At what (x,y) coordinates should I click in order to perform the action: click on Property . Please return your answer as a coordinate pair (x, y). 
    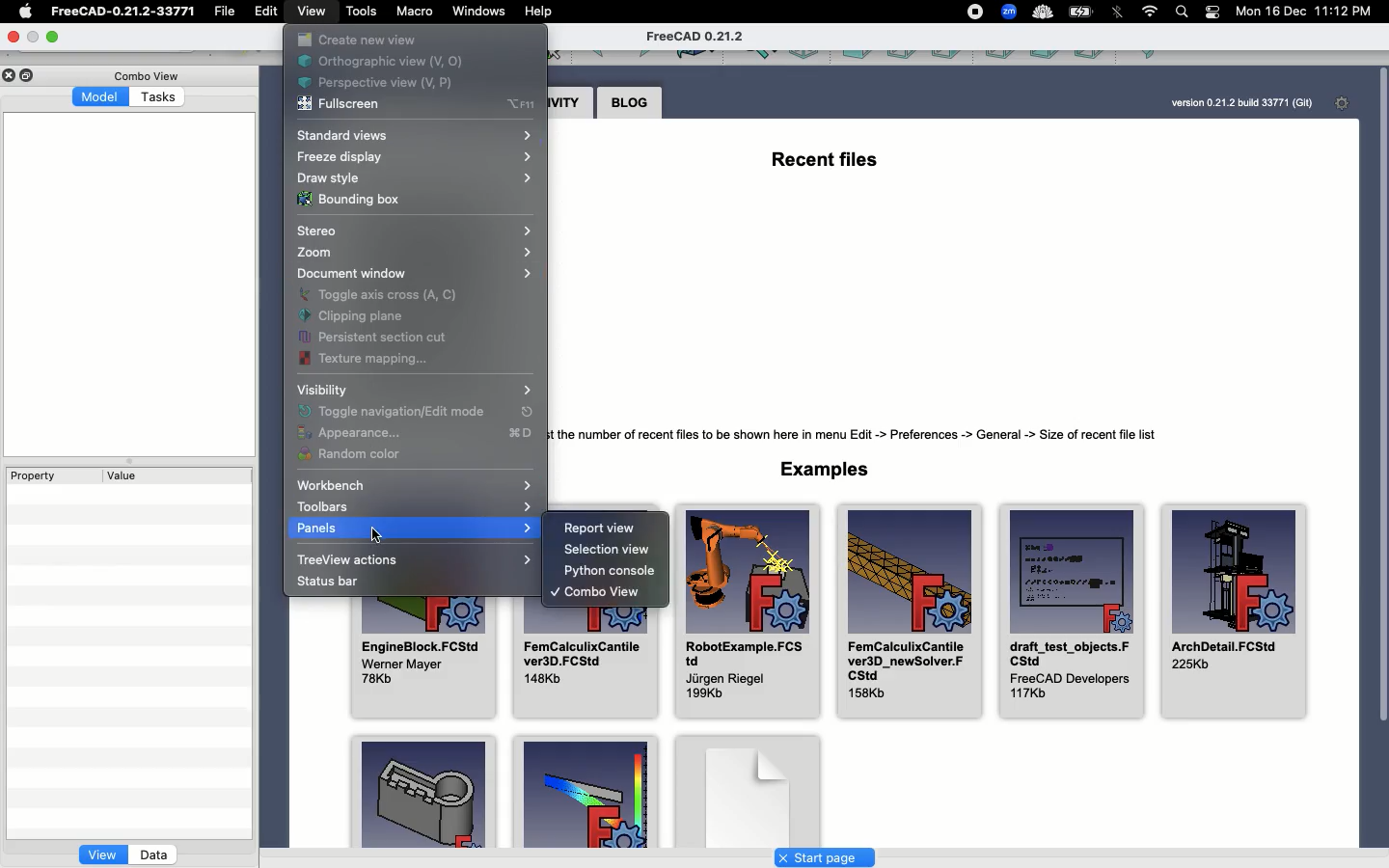
    Looking at the image, I should click on (41, 475).